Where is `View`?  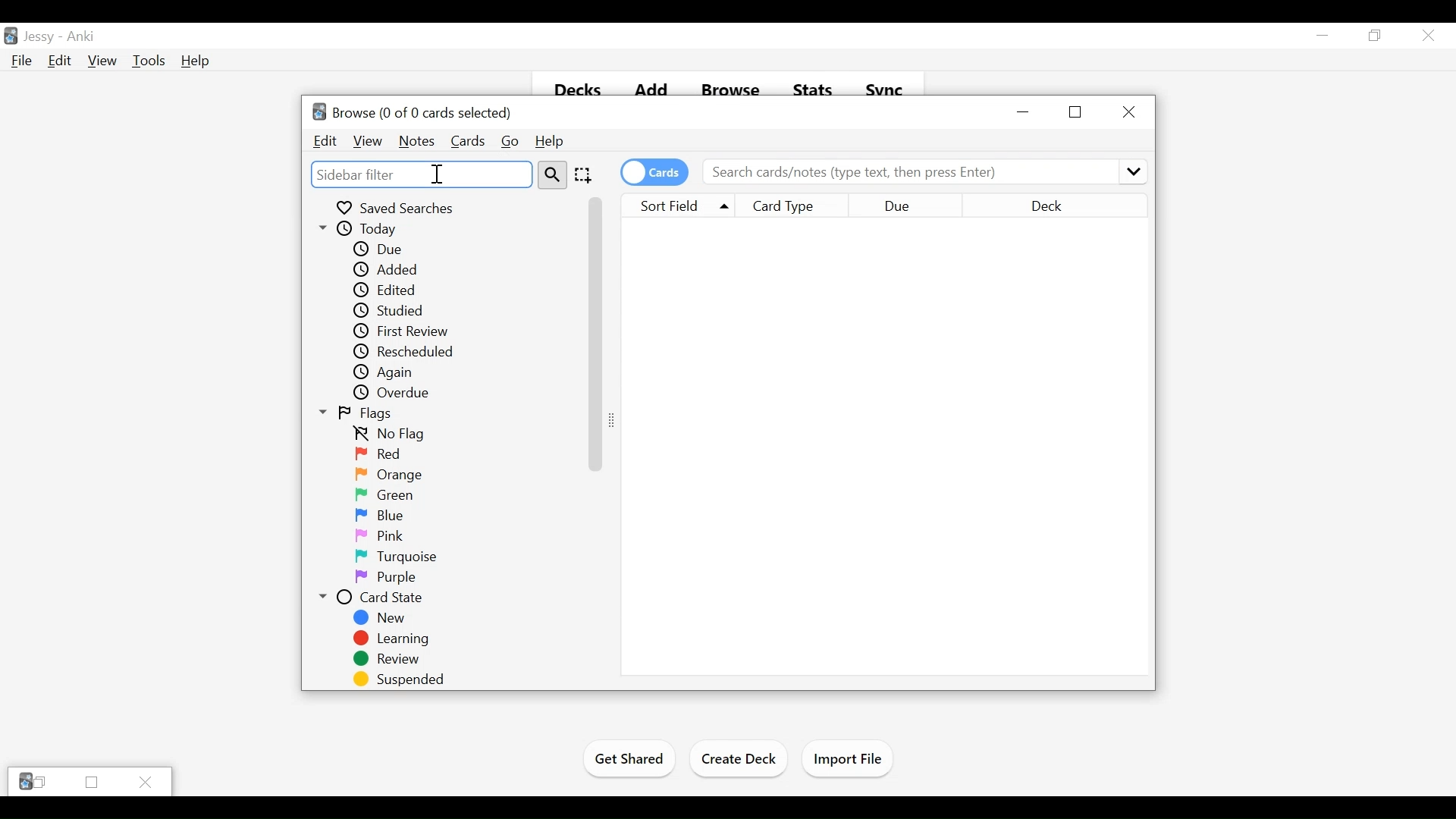
View is located at coordinates (102, 61).